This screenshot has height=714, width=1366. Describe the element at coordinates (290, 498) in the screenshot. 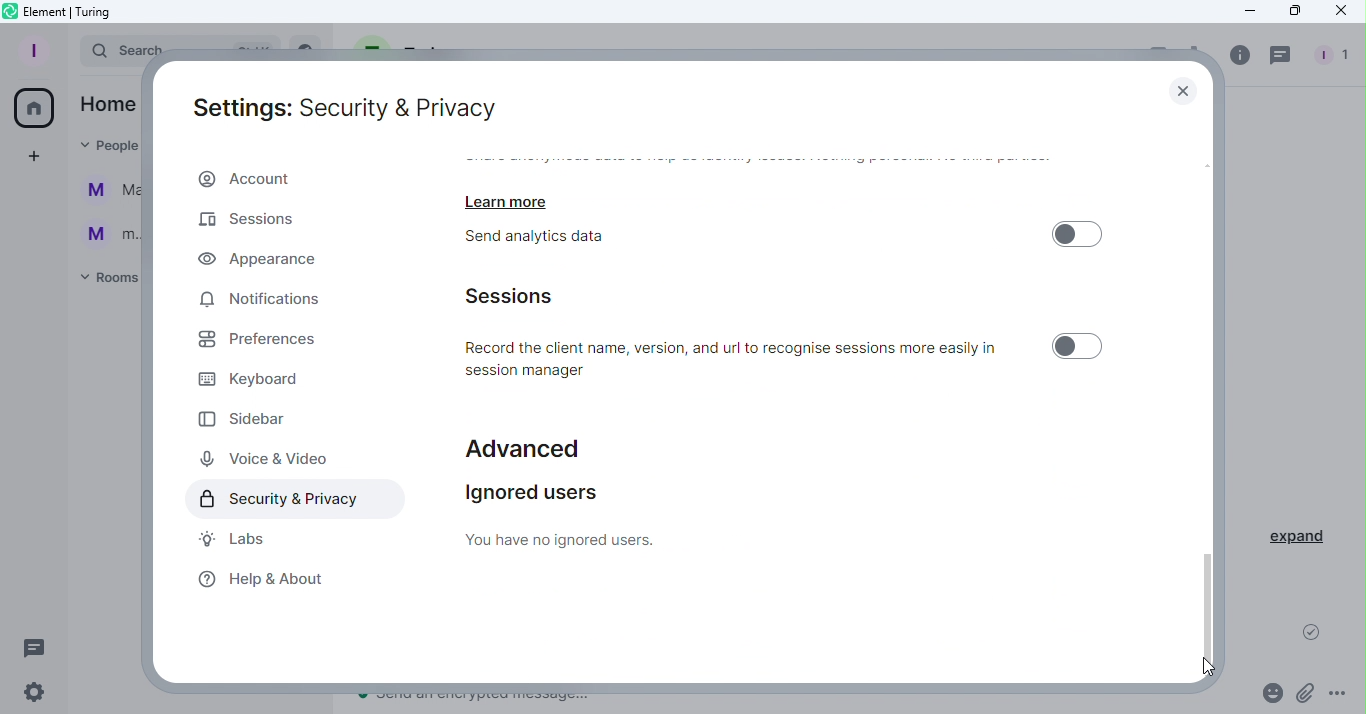

I see `Security and privacy` at that location.